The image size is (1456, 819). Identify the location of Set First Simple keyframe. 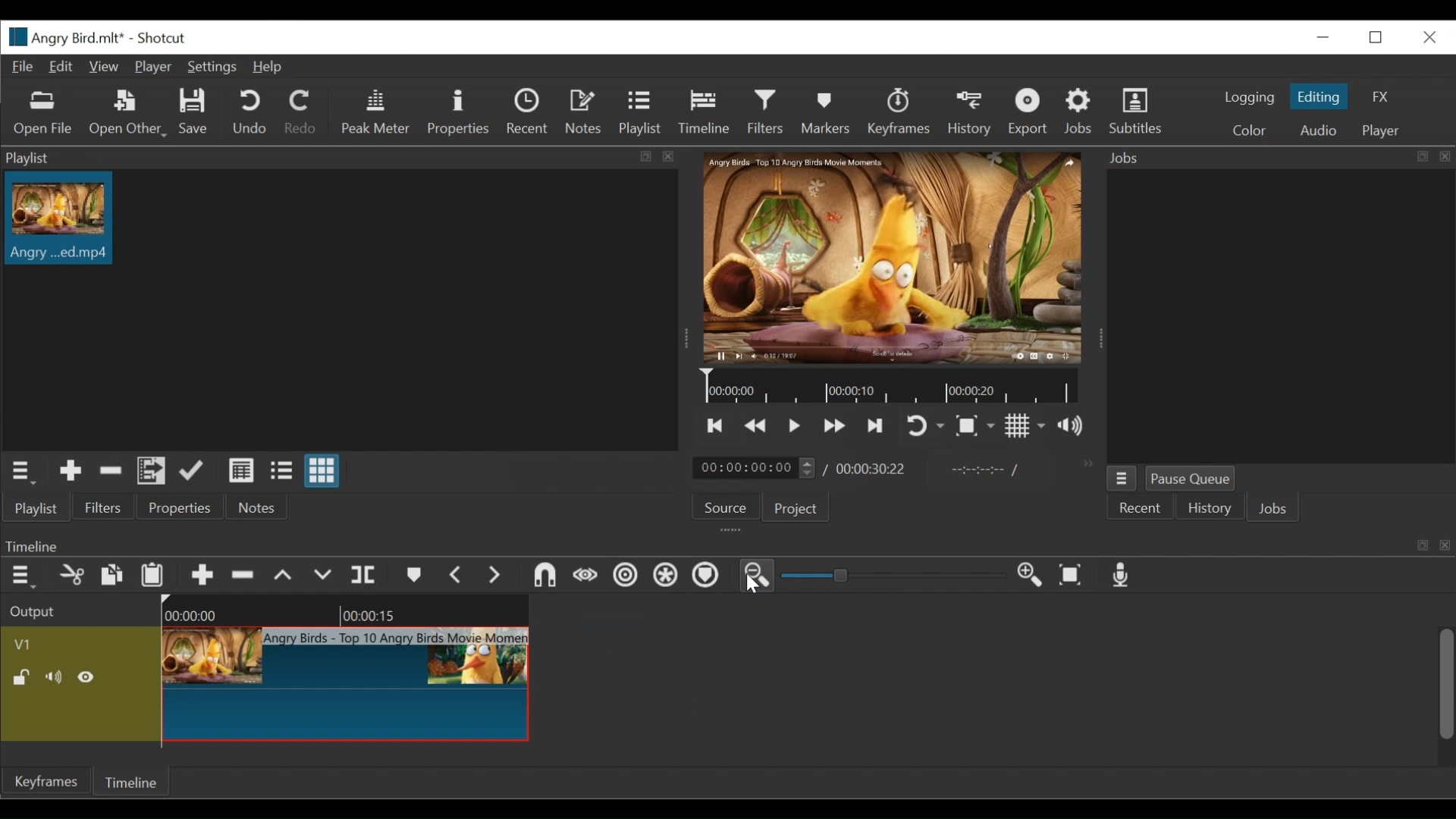
(582, 576).